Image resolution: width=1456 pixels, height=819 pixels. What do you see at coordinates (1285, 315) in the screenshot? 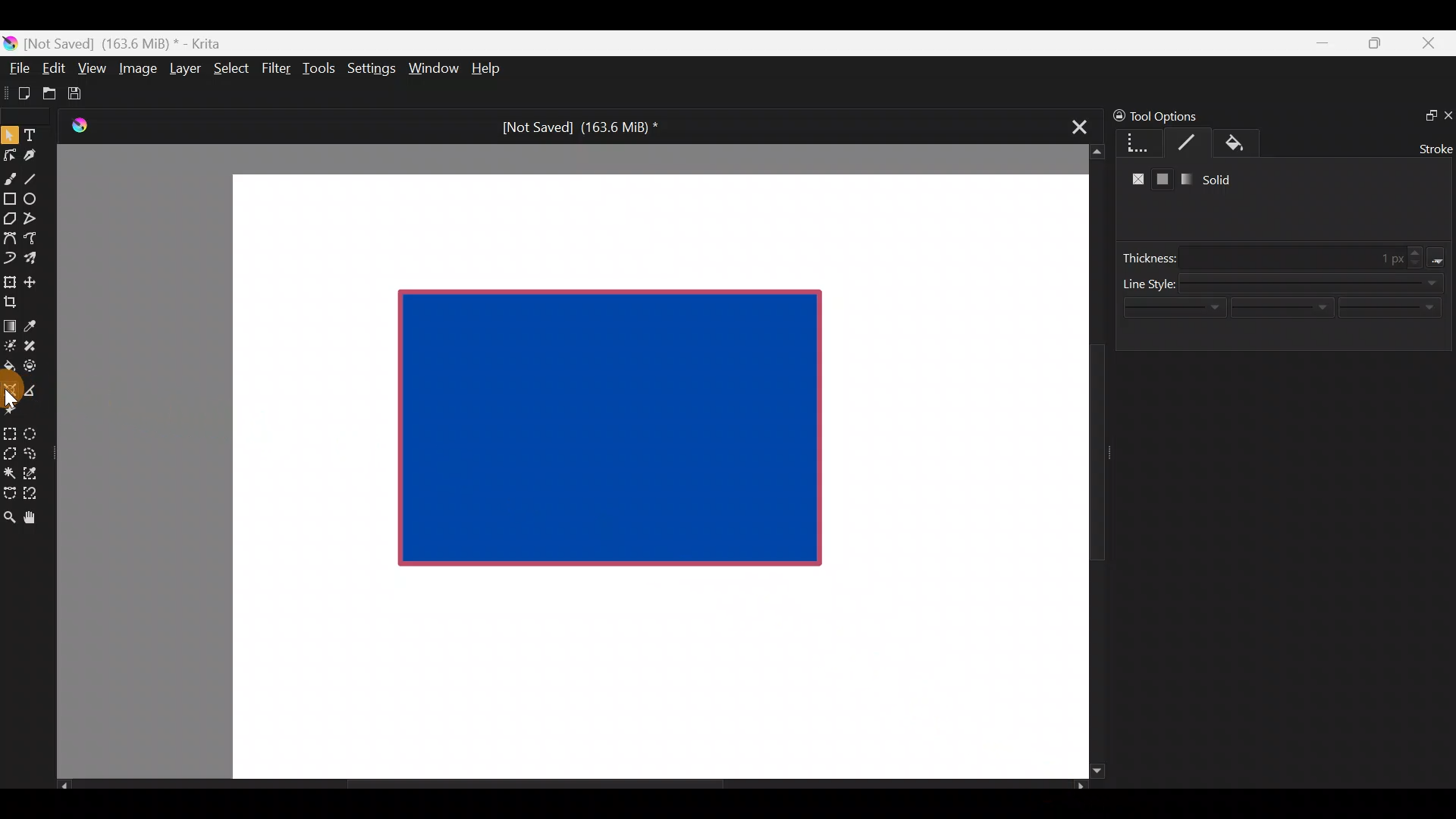
I see `Line style` at bounding box center [1285, 315].